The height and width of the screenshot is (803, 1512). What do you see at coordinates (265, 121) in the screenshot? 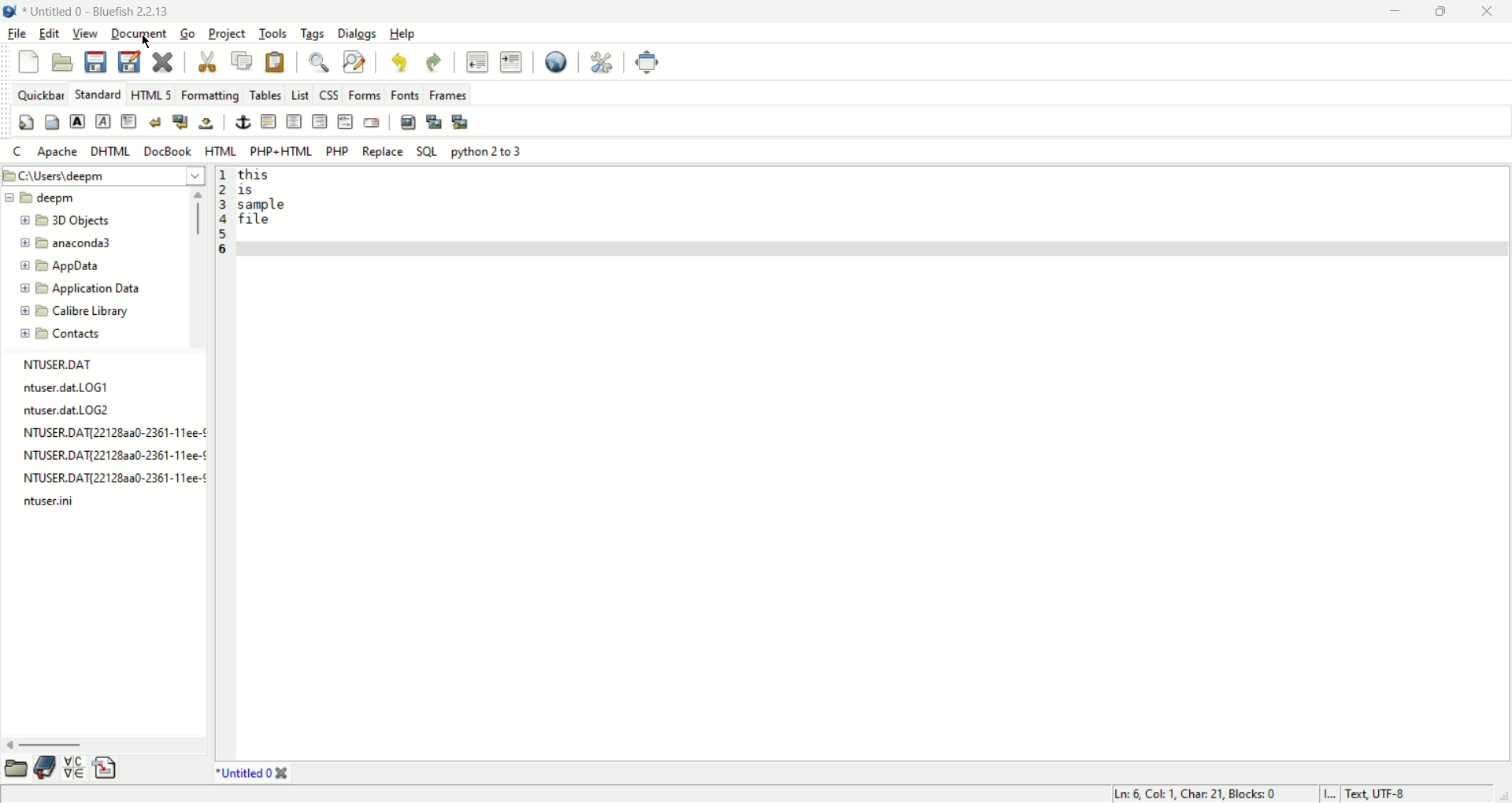
I see `horizontal rule` at bounding box center [265, 121].